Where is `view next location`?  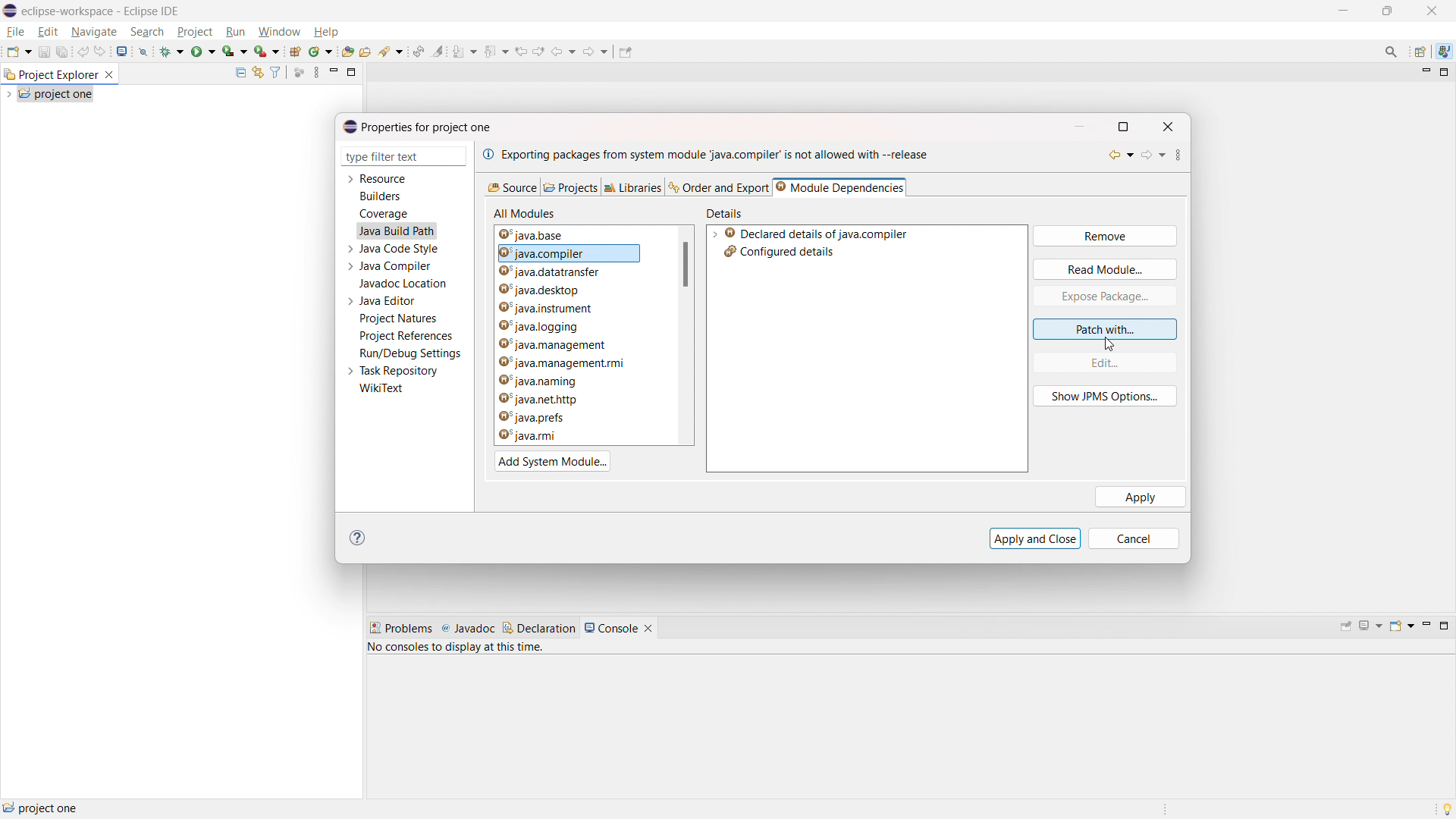
view next location is located at coordinates (538, 49).